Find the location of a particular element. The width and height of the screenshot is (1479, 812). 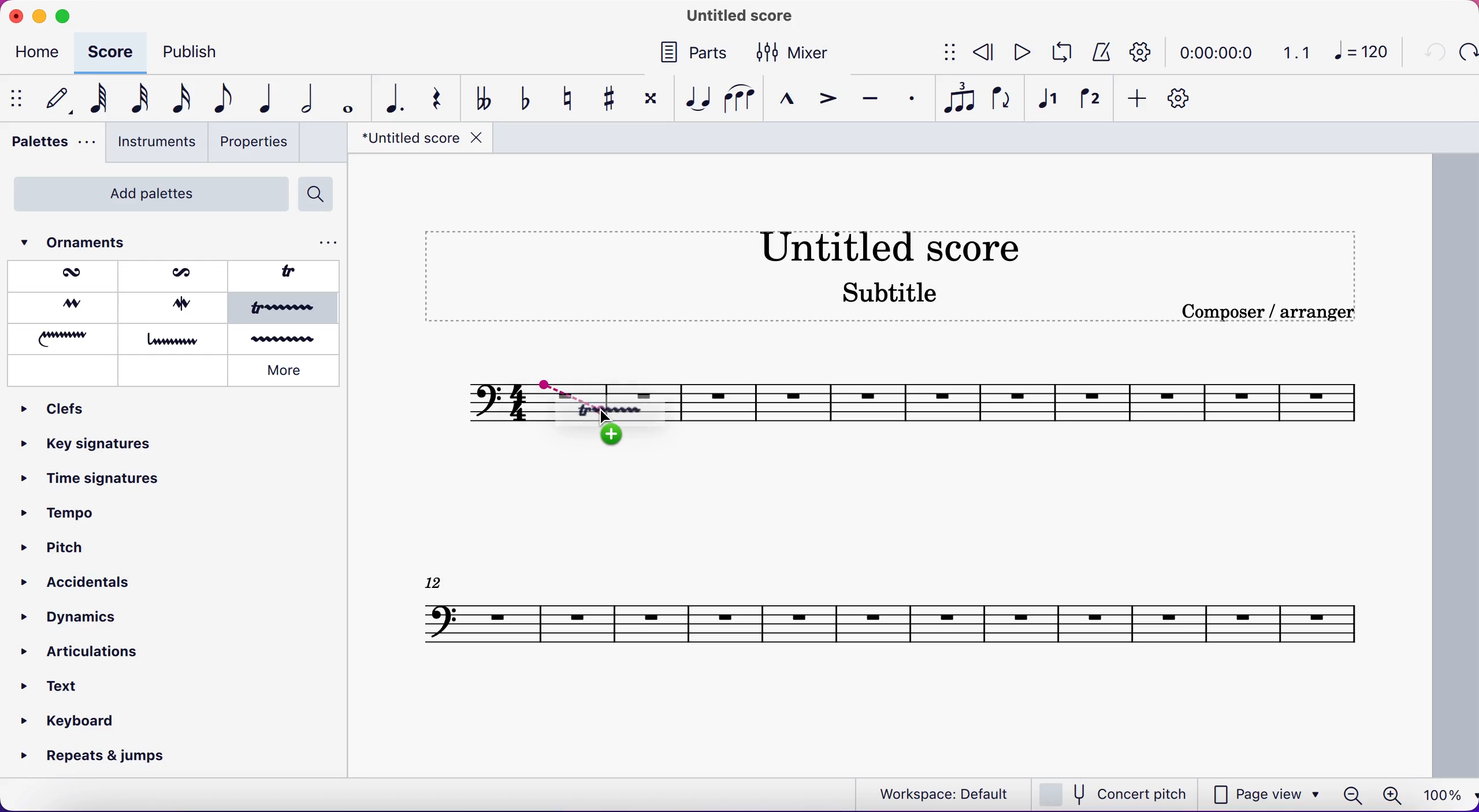

show/hide is located at coordinates (943, 54).